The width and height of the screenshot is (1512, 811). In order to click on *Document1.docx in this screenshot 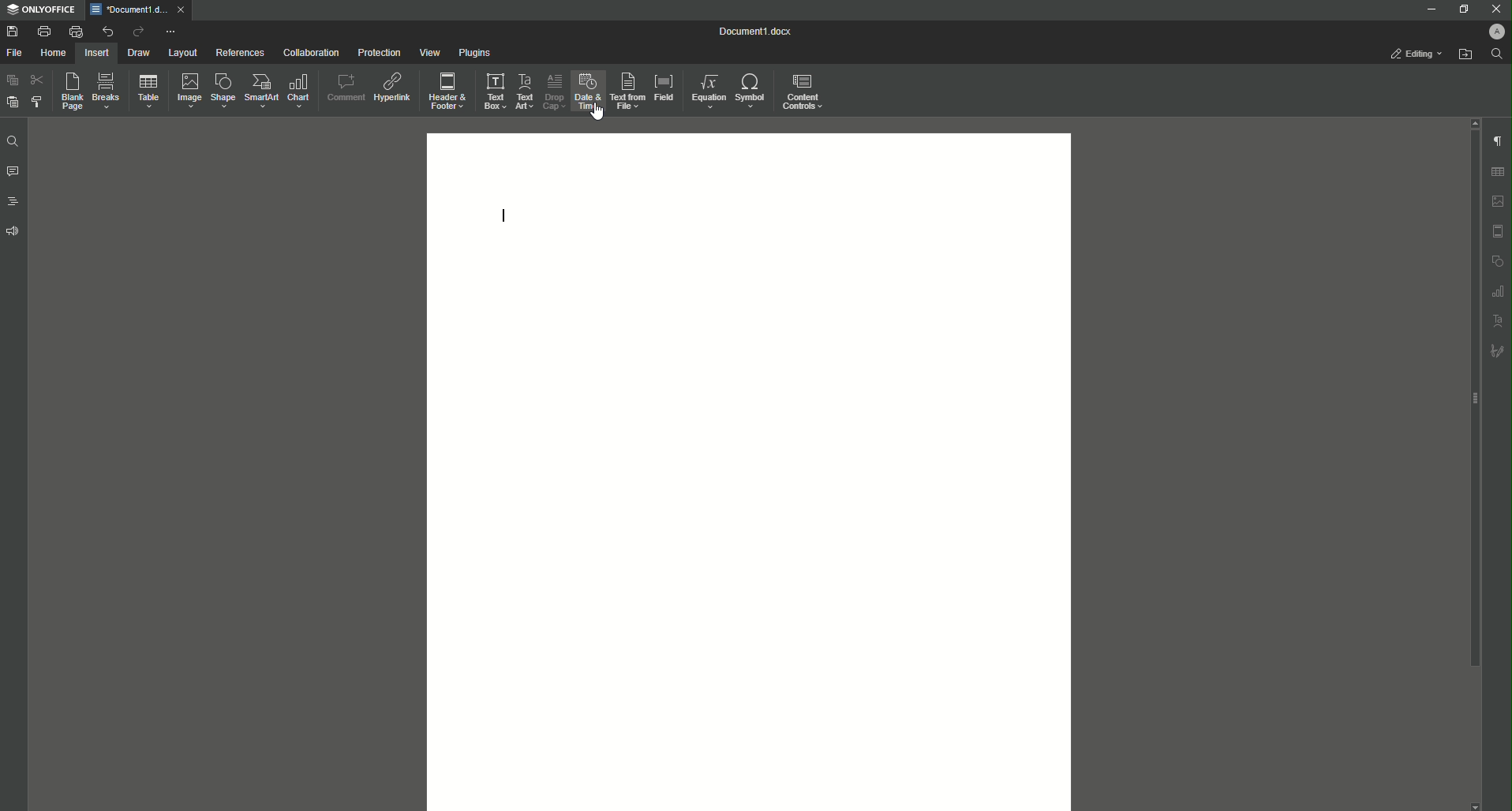, I will do `click(128, 9)`.